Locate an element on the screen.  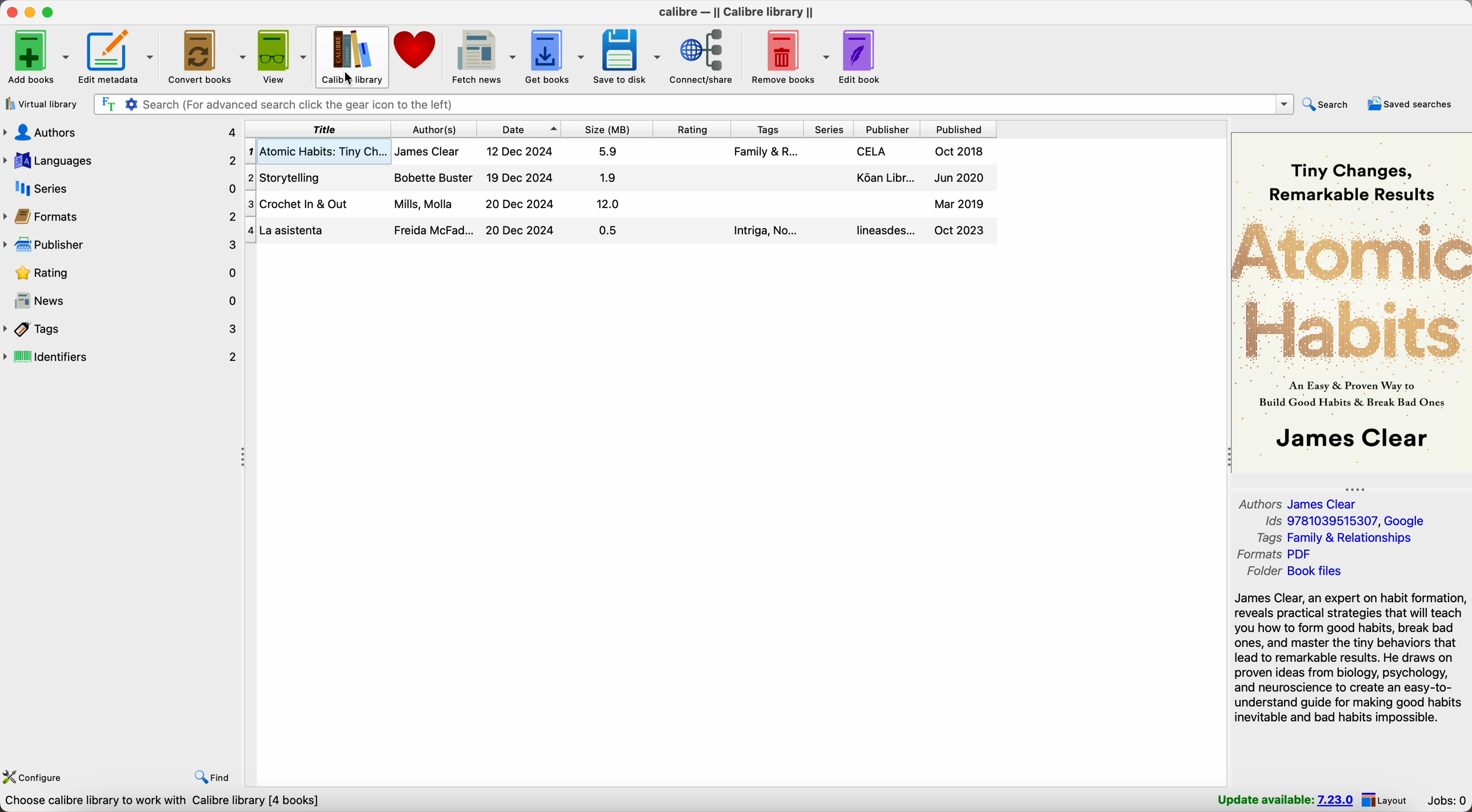
jobs: 0 is located at coordinates (1444, 799).